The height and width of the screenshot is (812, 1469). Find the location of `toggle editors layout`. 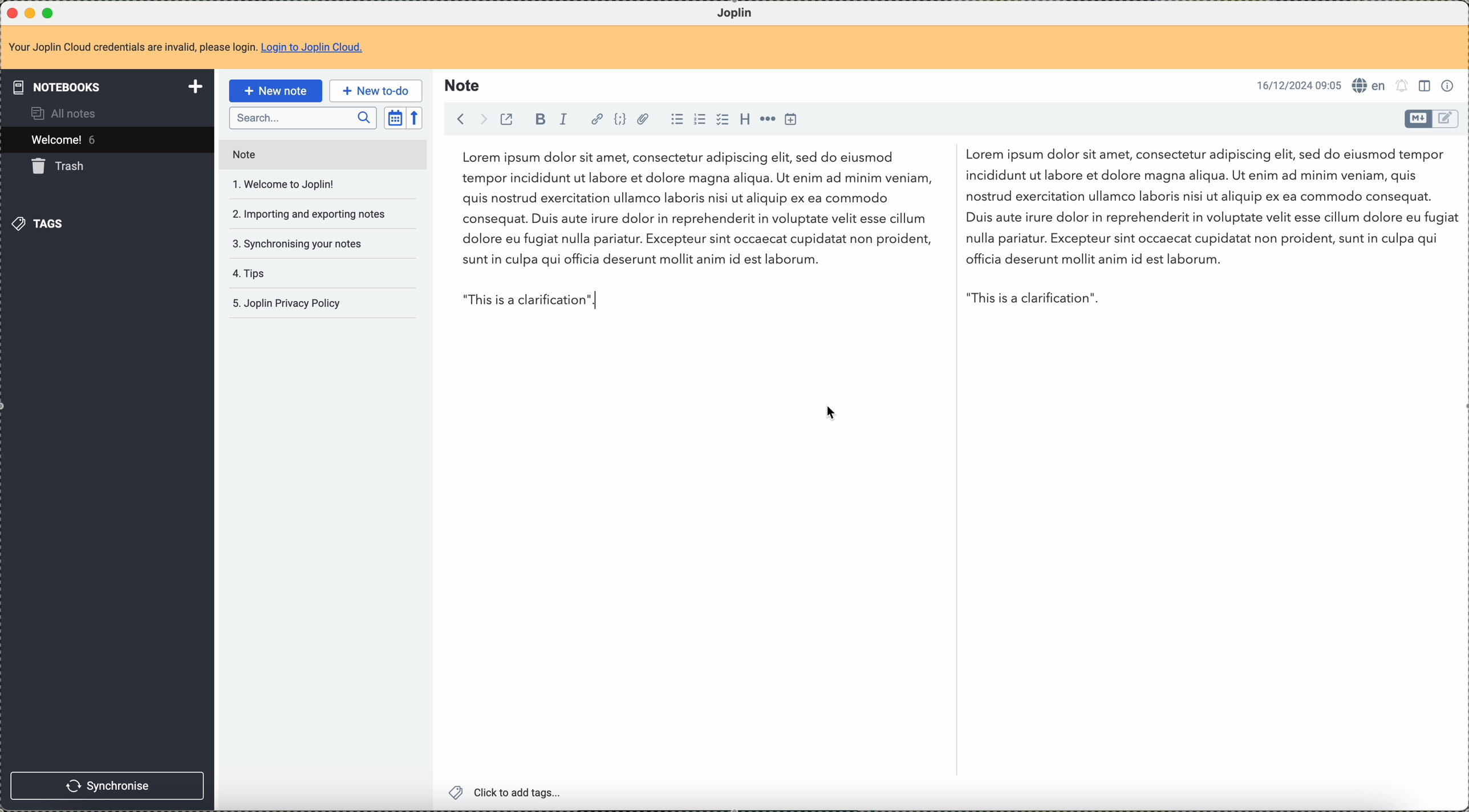

toggle editors layout is located at coordinates (1427, 87).